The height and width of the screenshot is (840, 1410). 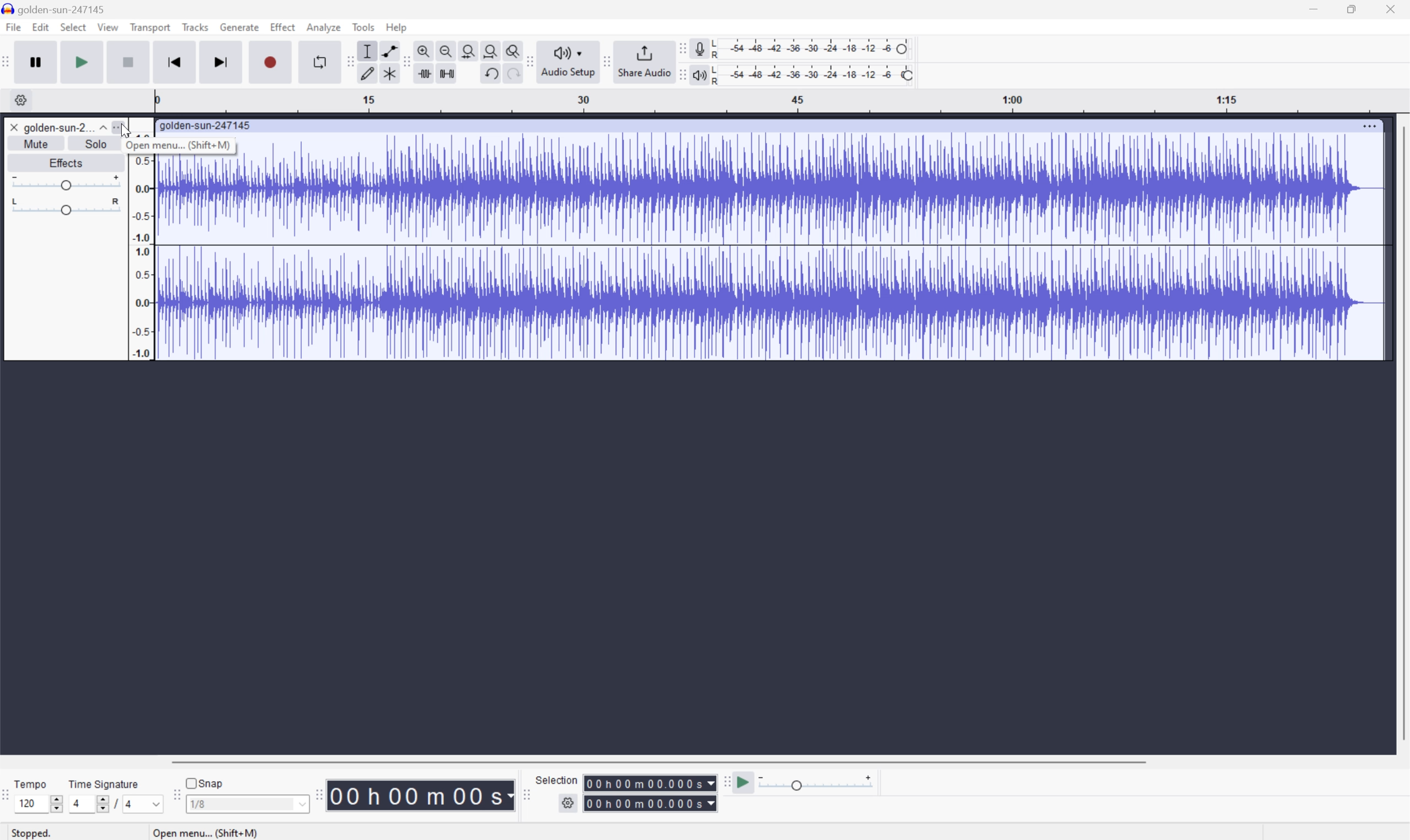 I want to click on Open, so click(x=139, y=144).